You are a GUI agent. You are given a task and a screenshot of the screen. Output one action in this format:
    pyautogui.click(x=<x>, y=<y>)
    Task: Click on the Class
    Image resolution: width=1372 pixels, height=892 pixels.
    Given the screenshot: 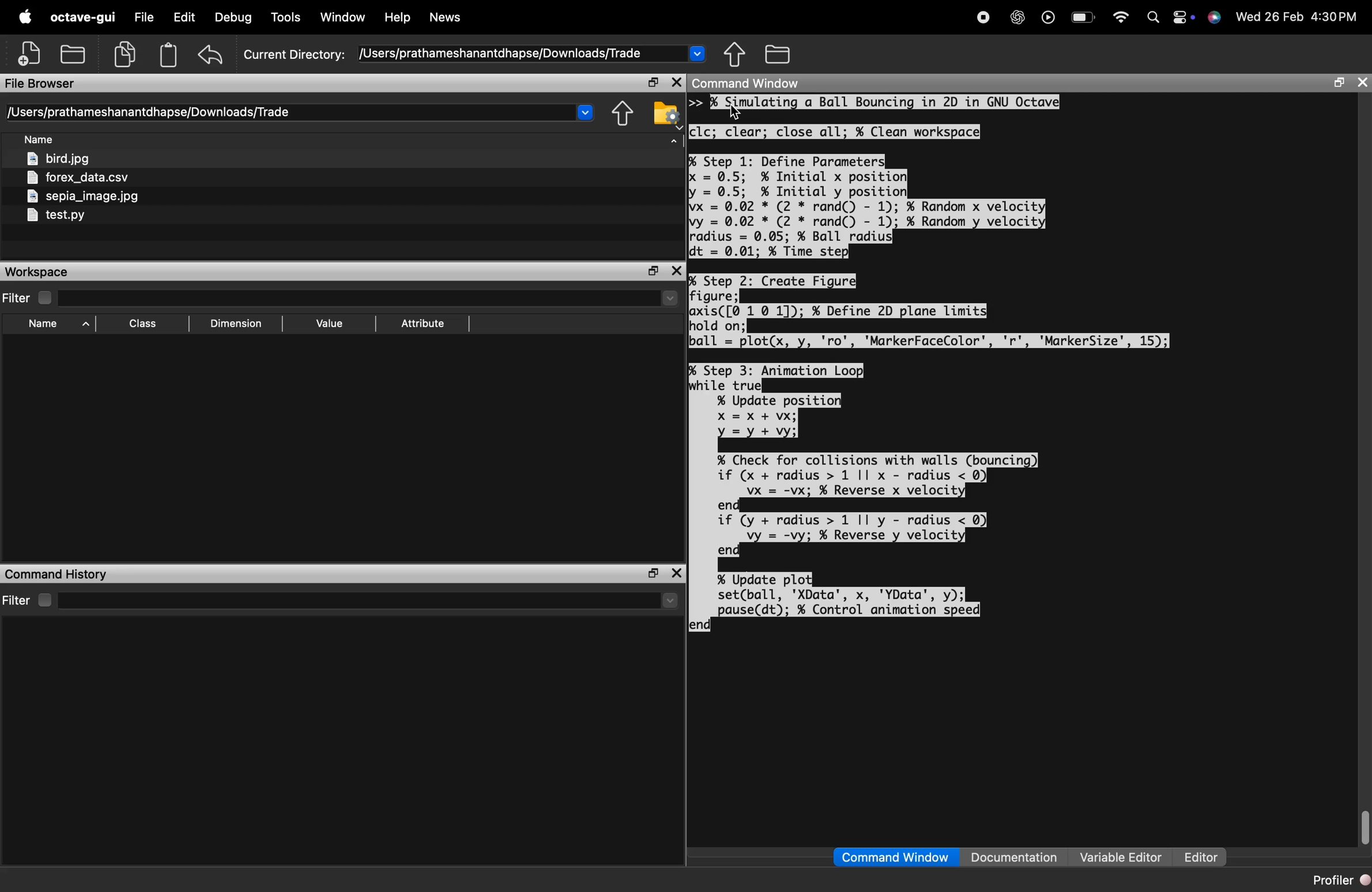 What is the action you would take?
    pyautogui.click(x=144, y=324)
    